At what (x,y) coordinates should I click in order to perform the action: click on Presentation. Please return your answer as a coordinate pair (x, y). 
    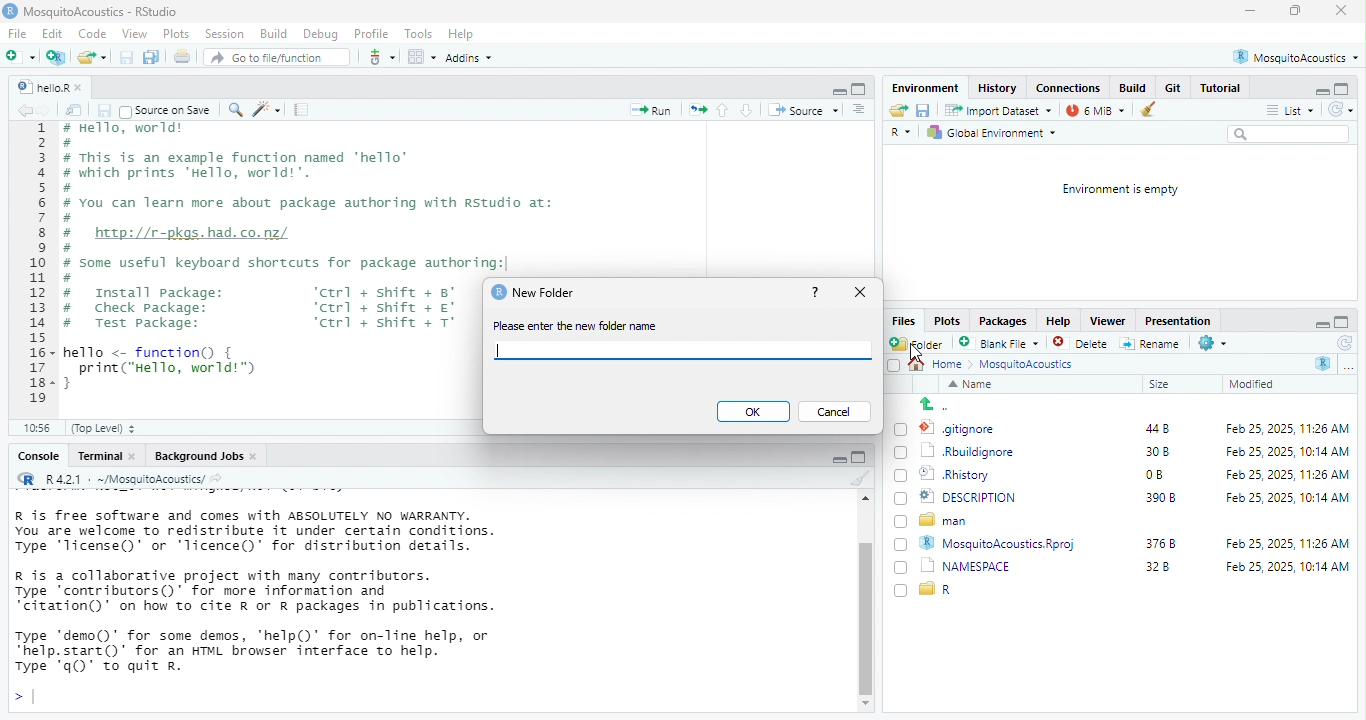
    Looking at the image, I should click on (1176, 321).